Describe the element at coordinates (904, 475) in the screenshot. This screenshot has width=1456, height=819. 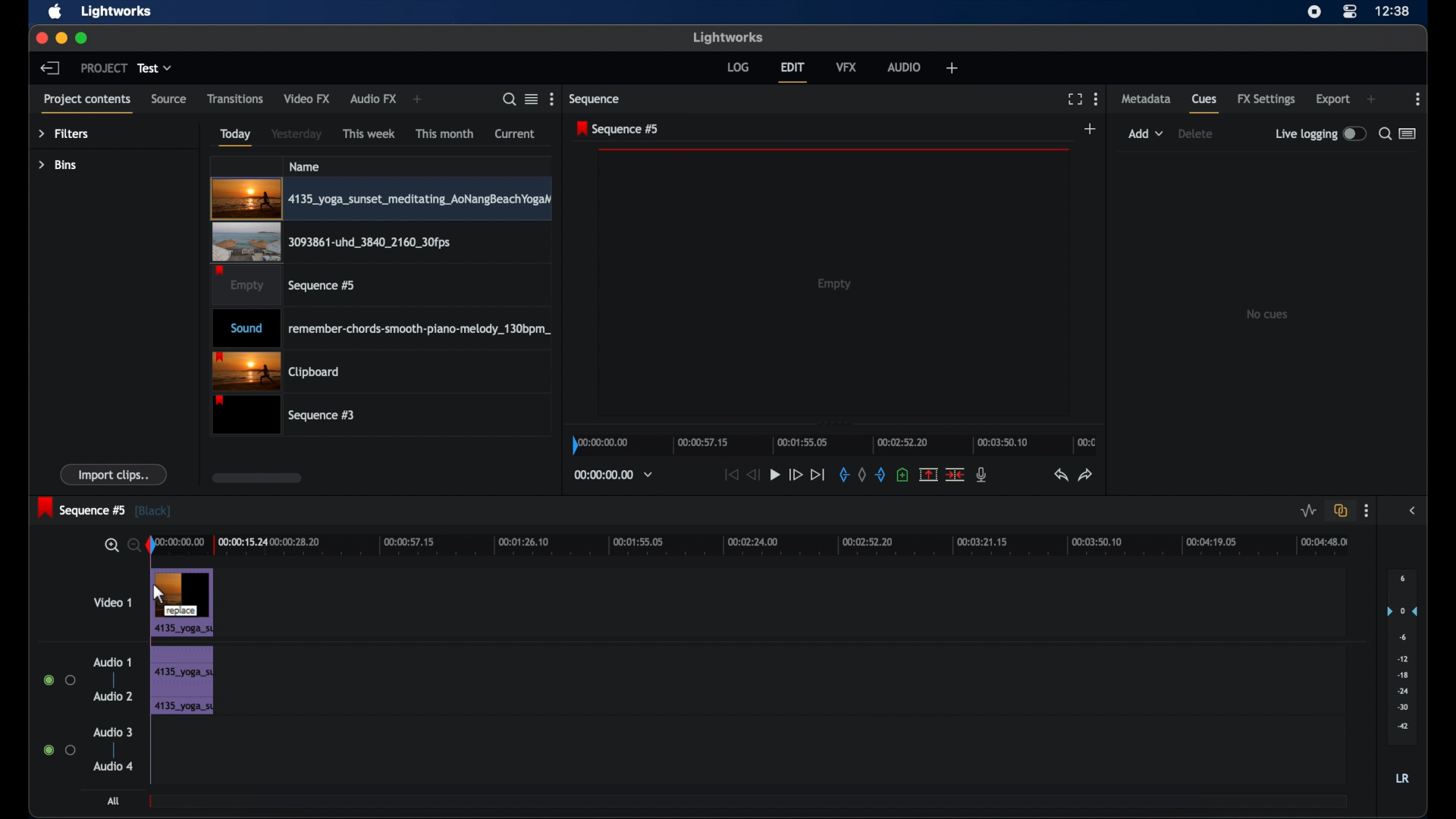
I see `add a cue at current position` at that location.